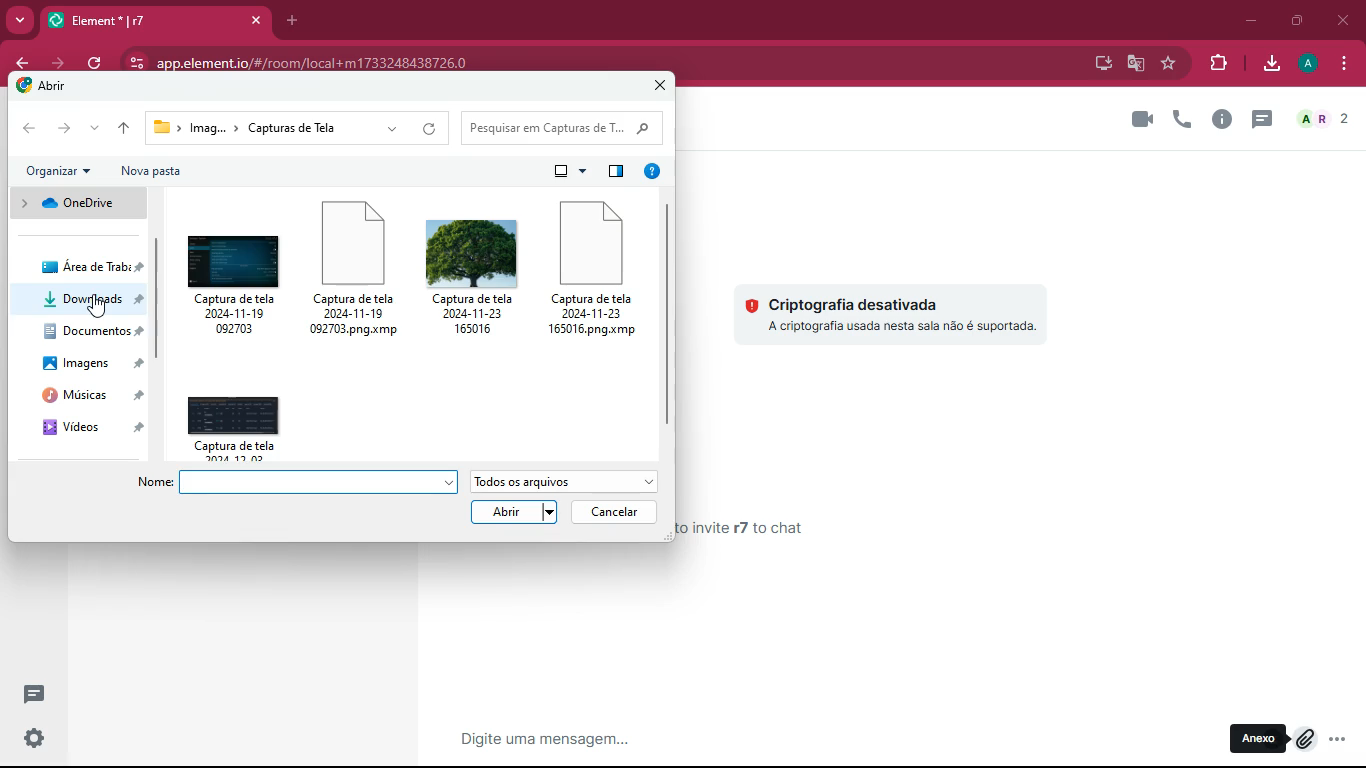  Describe the element at coordinates (32, 129) in the screenshot. I see `back` at that location.